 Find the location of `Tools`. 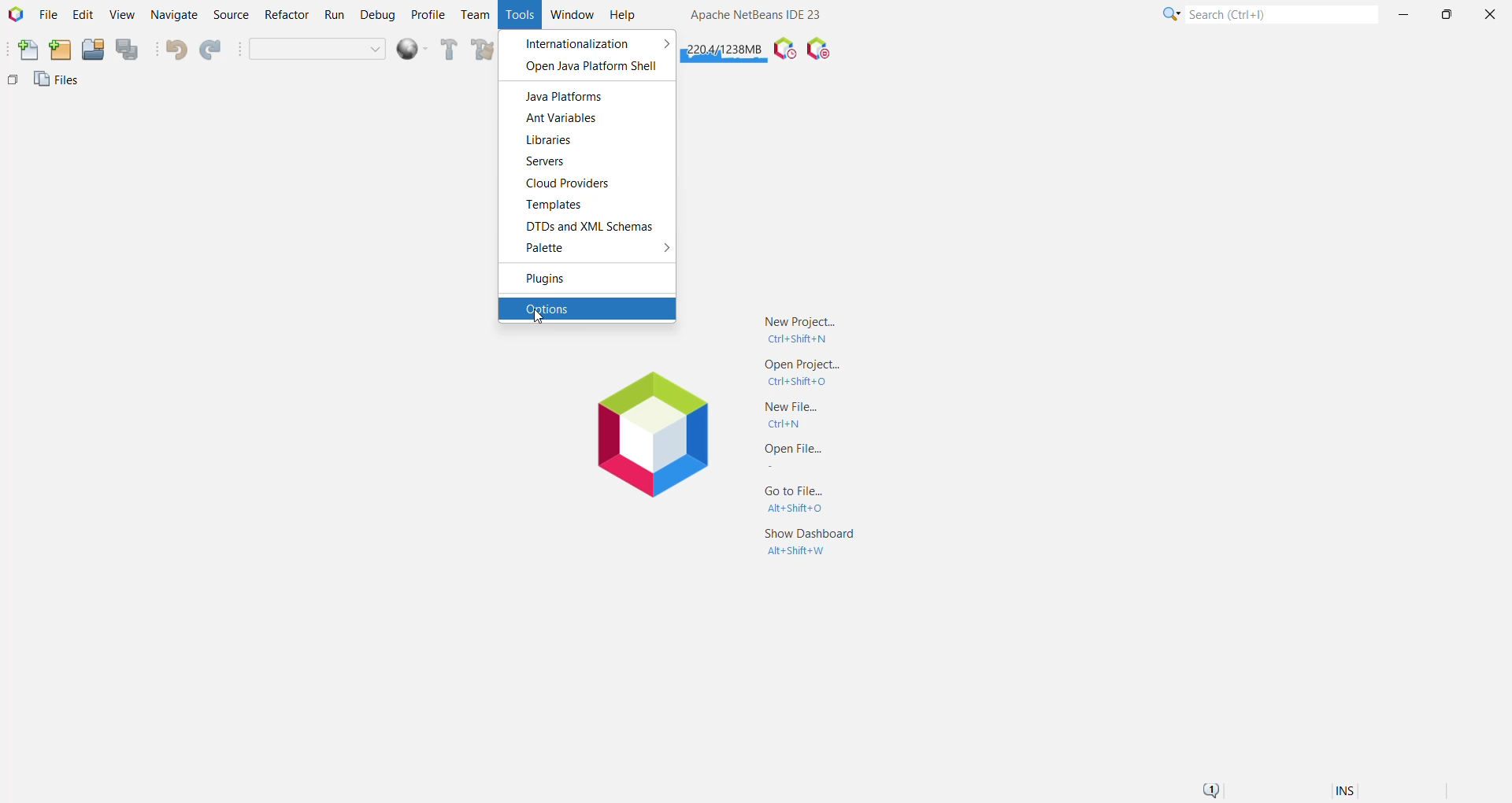

Tools is located at coordinates (521, 13).